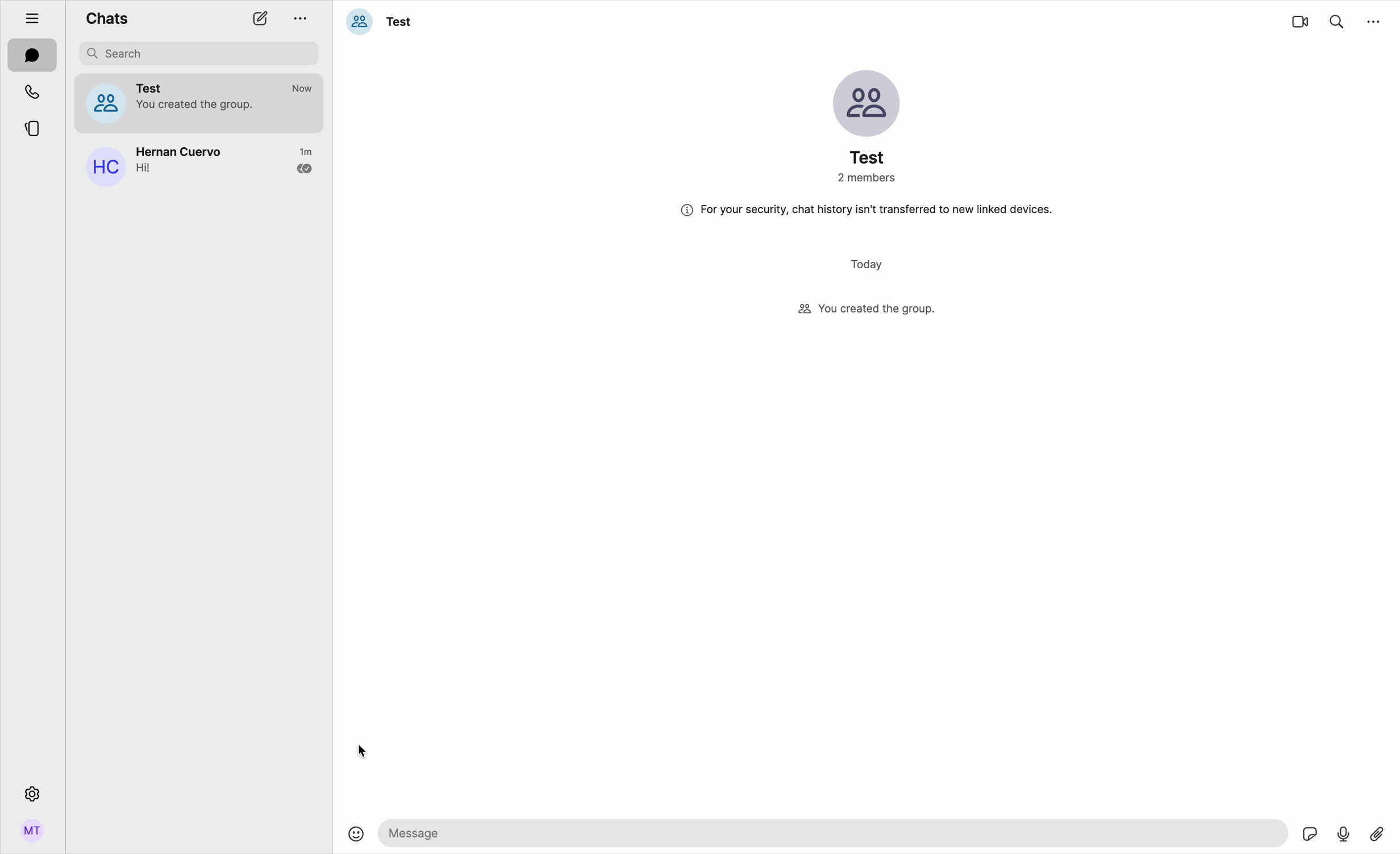 This screenshot has width=1400, height=854. Describe the element at coordinates (305, 15) in the screenshot. I see `options` at that location.